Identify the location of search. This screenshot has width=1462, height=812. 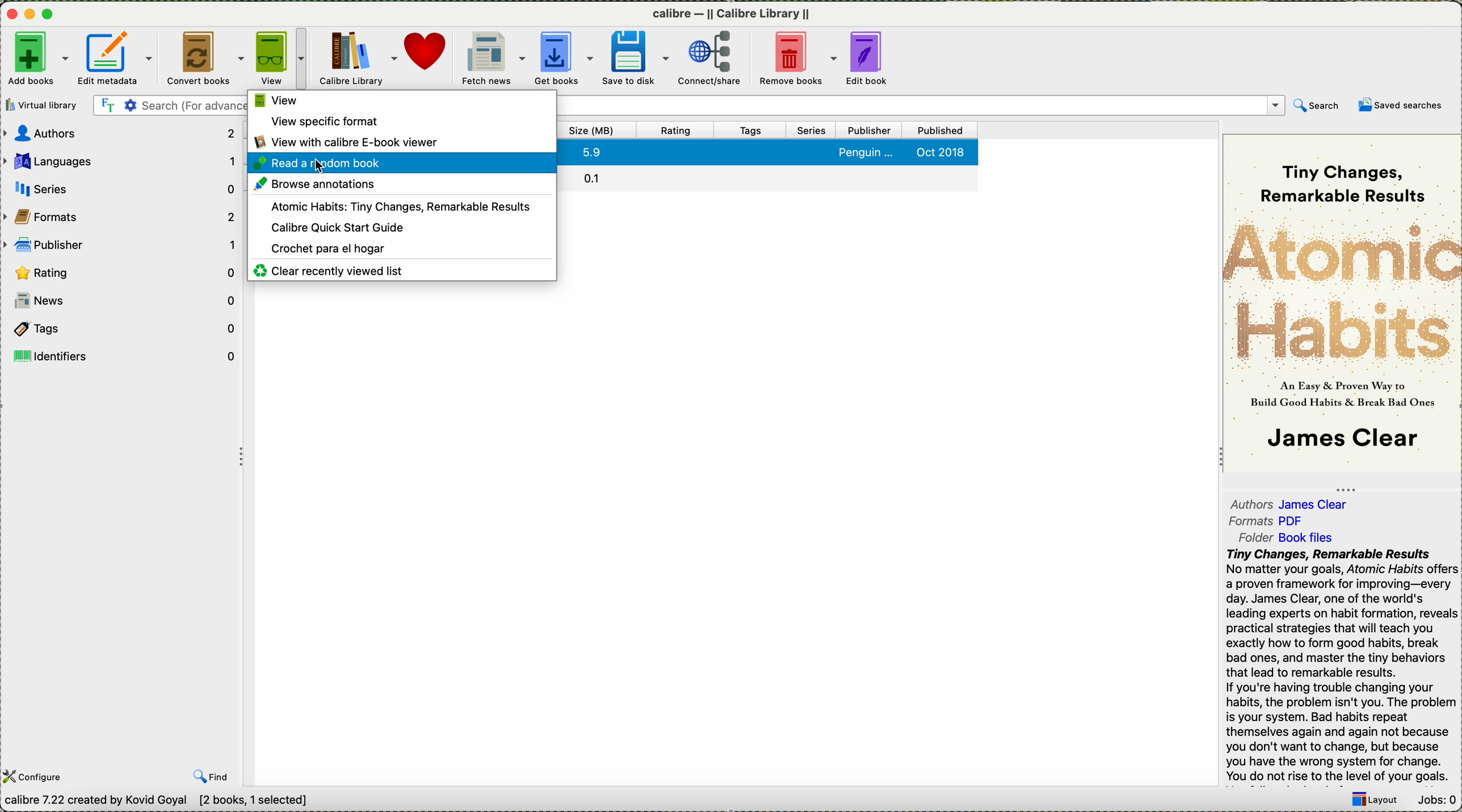
(1317, 106).